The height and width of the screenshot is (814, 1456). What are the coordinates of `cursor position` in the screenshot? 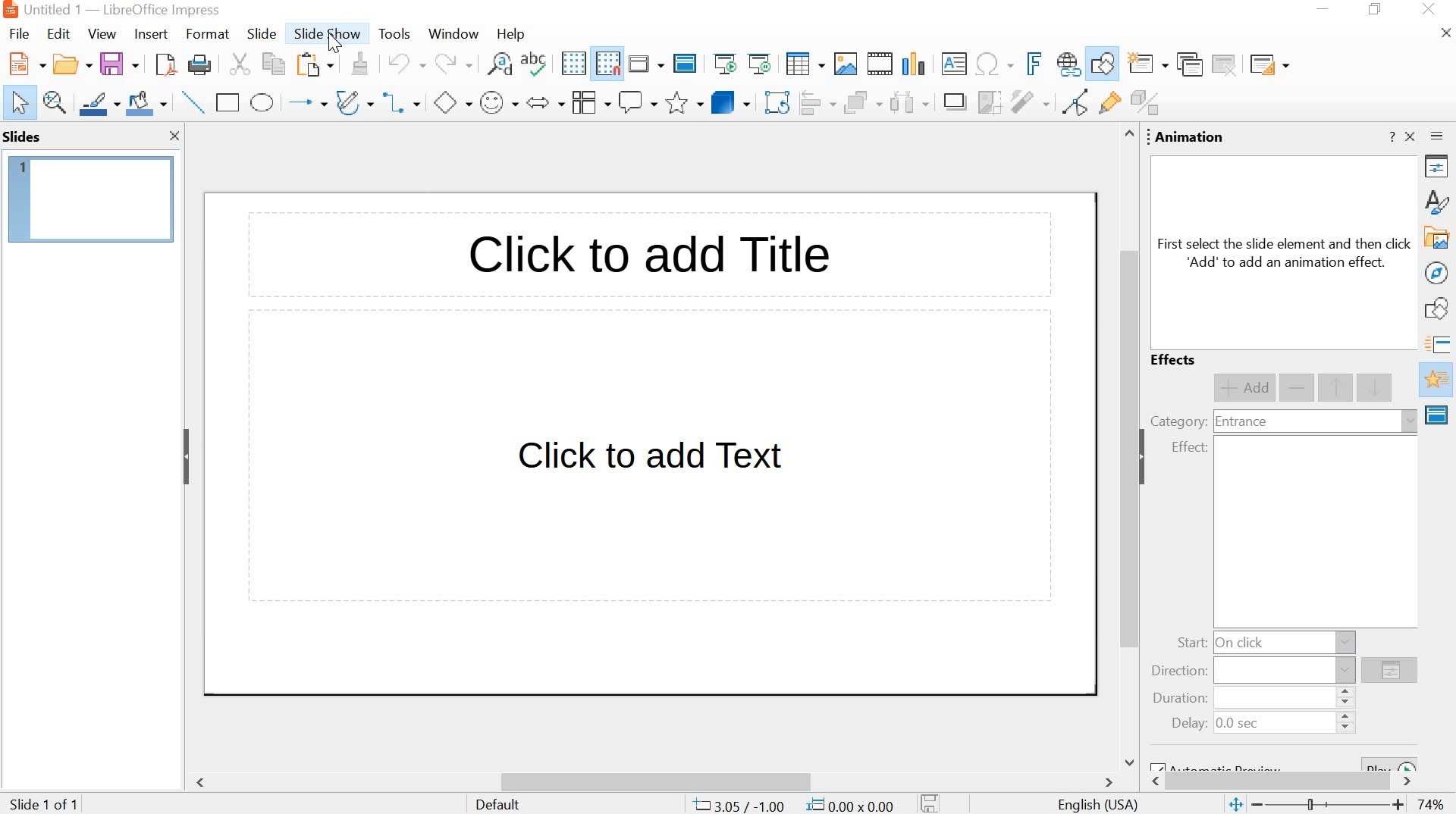 It's located at (739, 805).